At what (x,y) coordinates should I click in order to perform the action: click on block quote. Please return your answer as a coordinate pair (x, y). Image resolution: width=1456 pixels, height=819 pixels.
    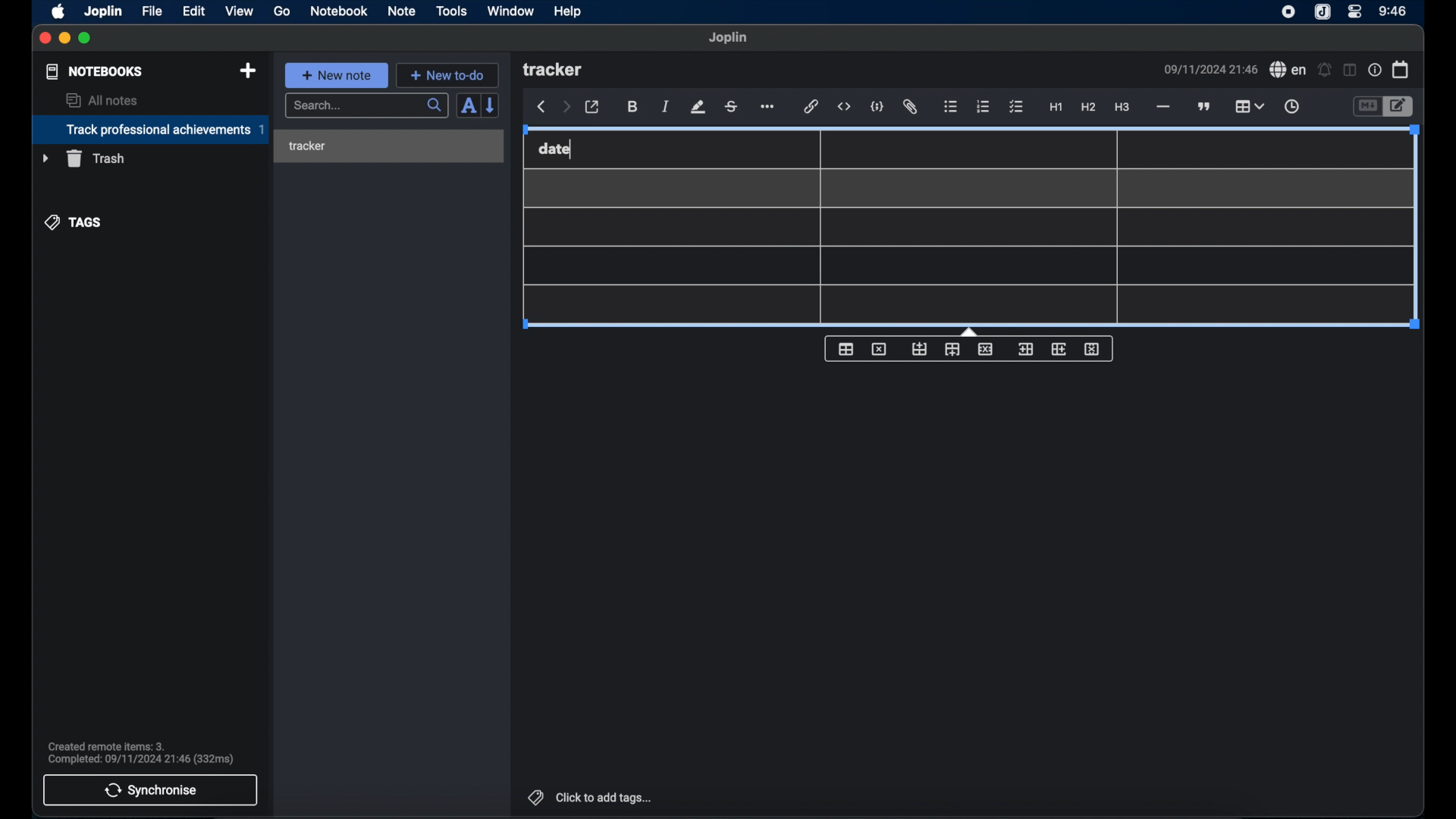
    Looking at the image, I should click on (1205, 106).